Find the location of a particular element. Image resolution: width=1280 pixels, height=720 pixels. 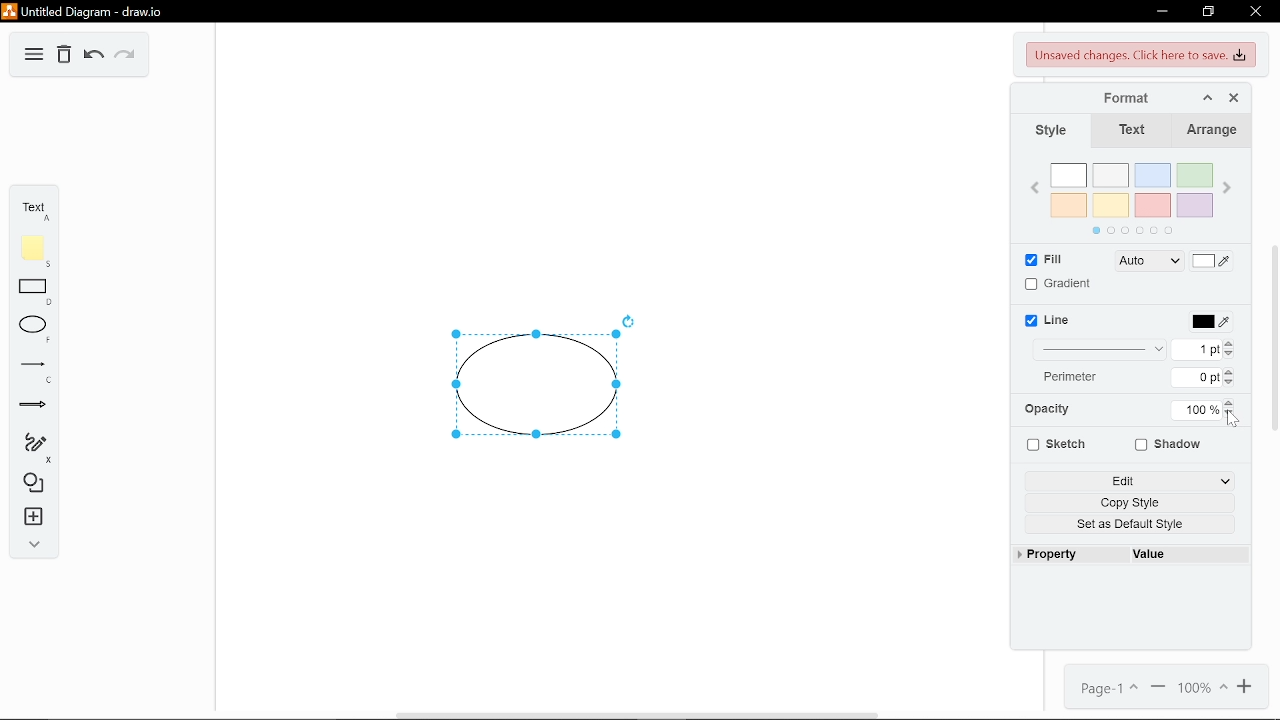

Fill type is located at coordinates (1150, 261).